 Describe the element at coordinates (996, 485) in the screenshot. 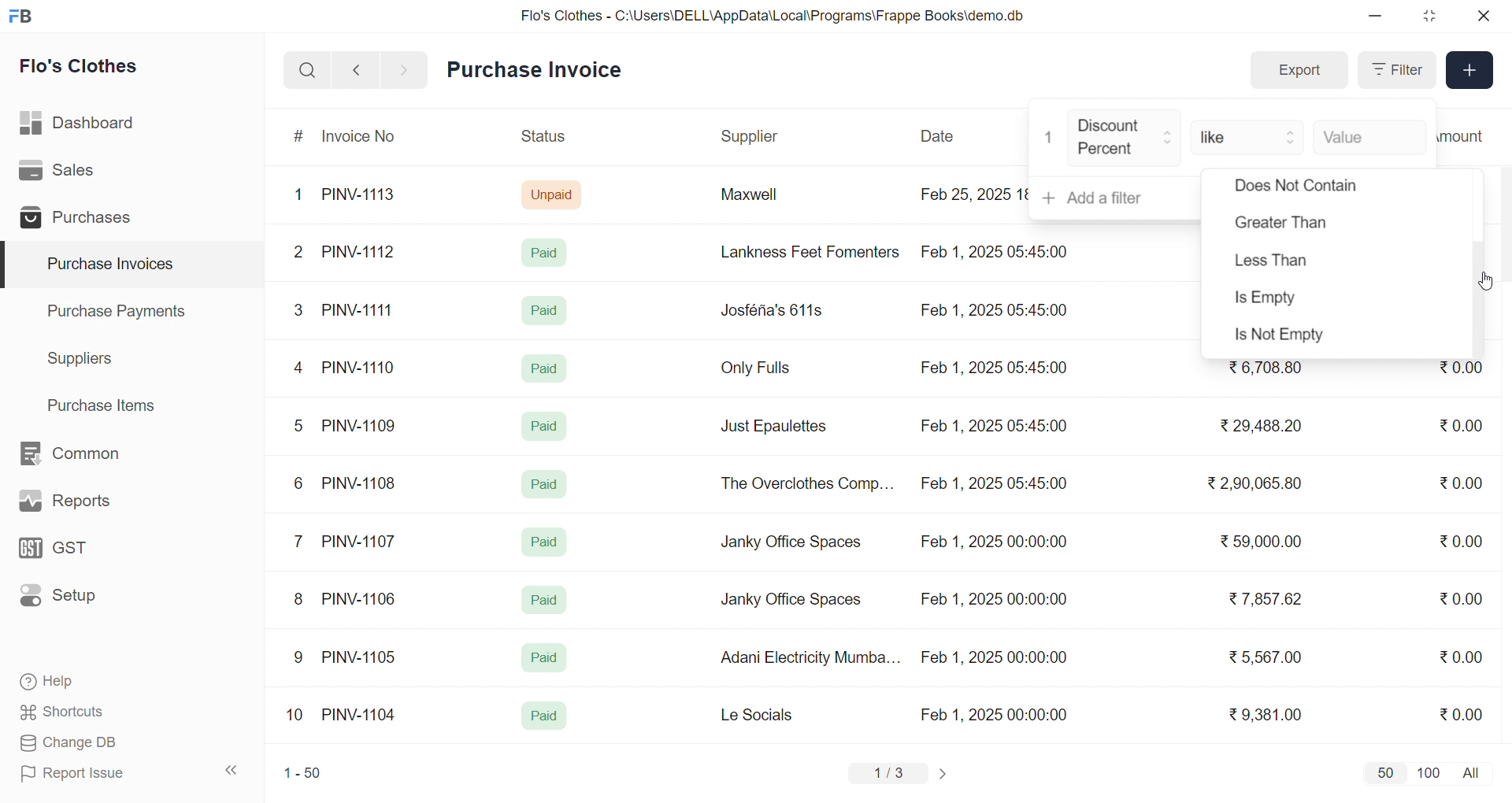

I see `Feb 1, 2025 05:45:00` at that location.